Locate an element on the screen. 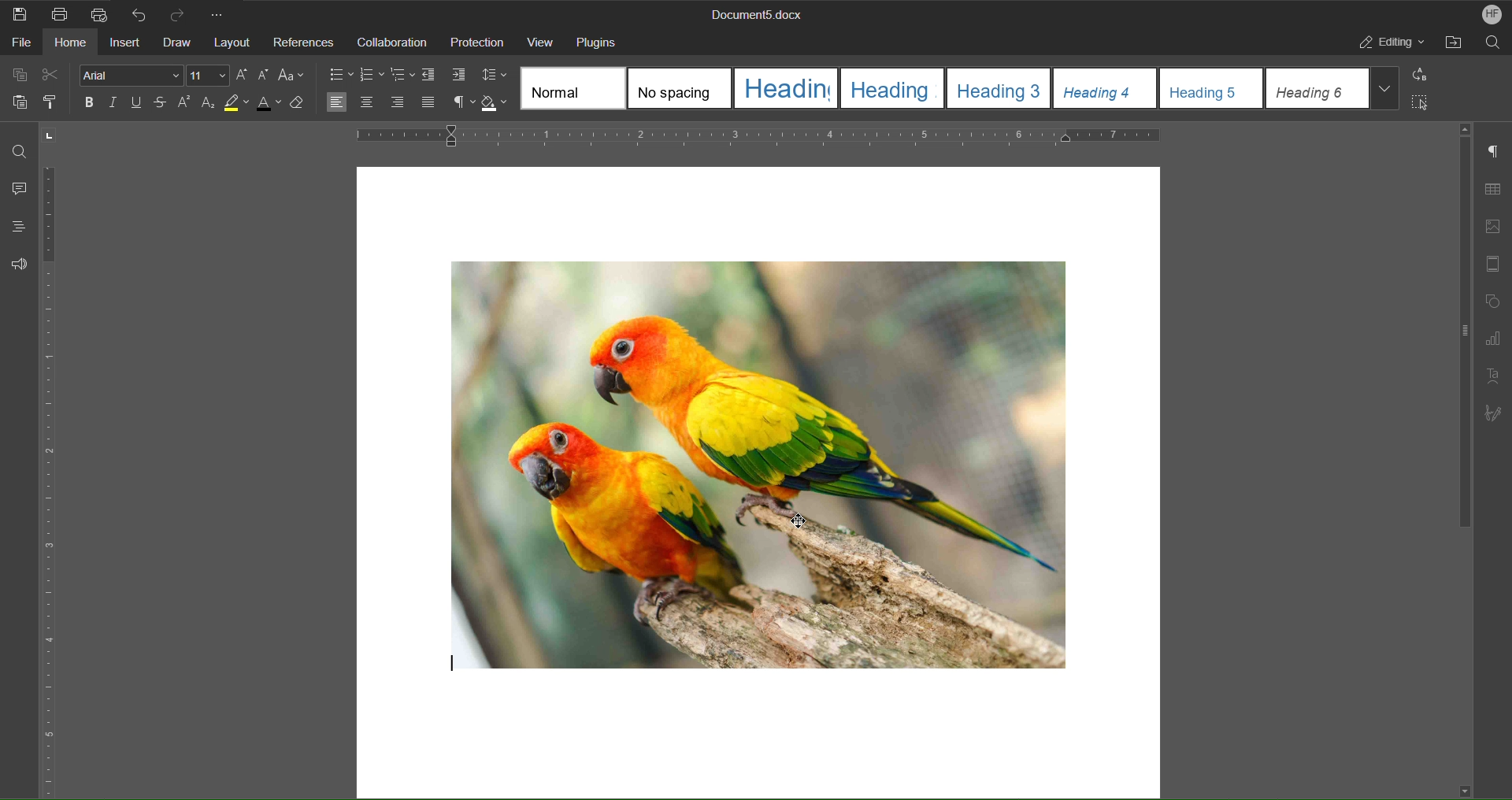  Decrease Size is located at coordinates (266, 76).